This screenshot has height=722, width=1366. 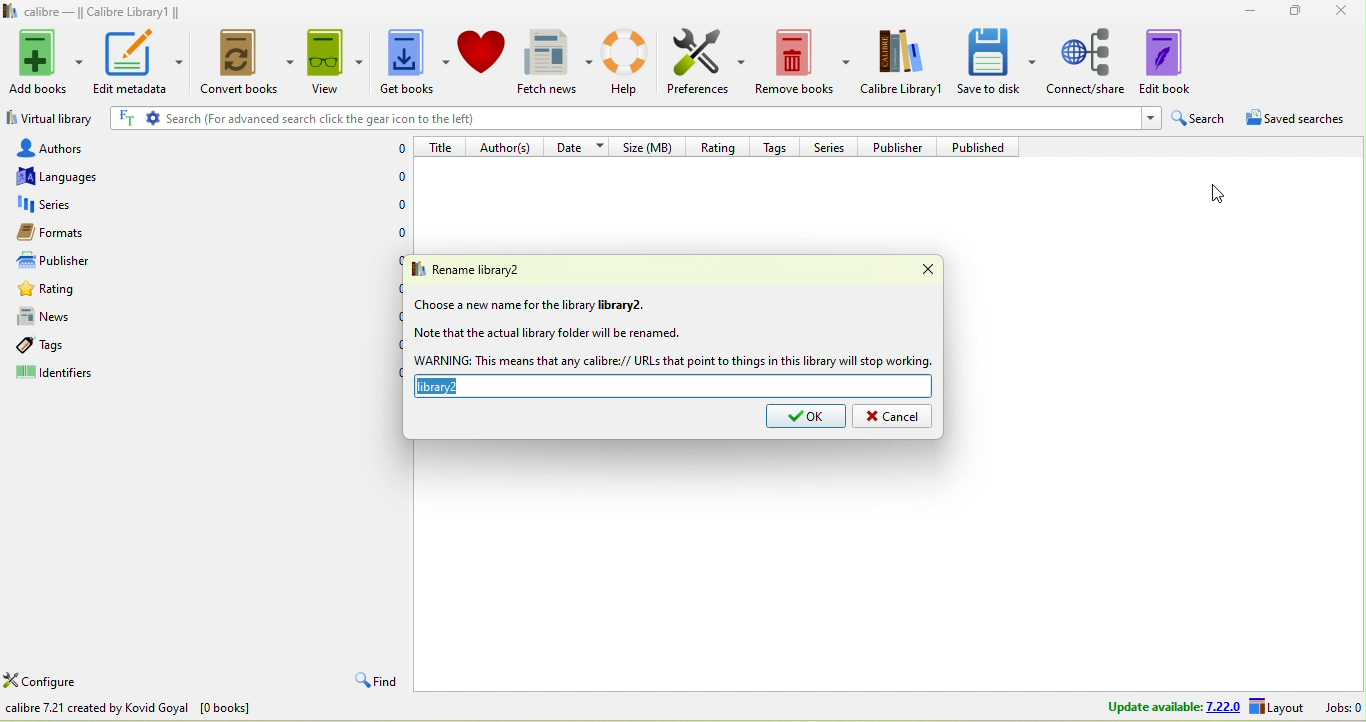 What do you see at coordinates (804, 63) in the screenshot?
I see `remove books` at bounding box center [804, 63].